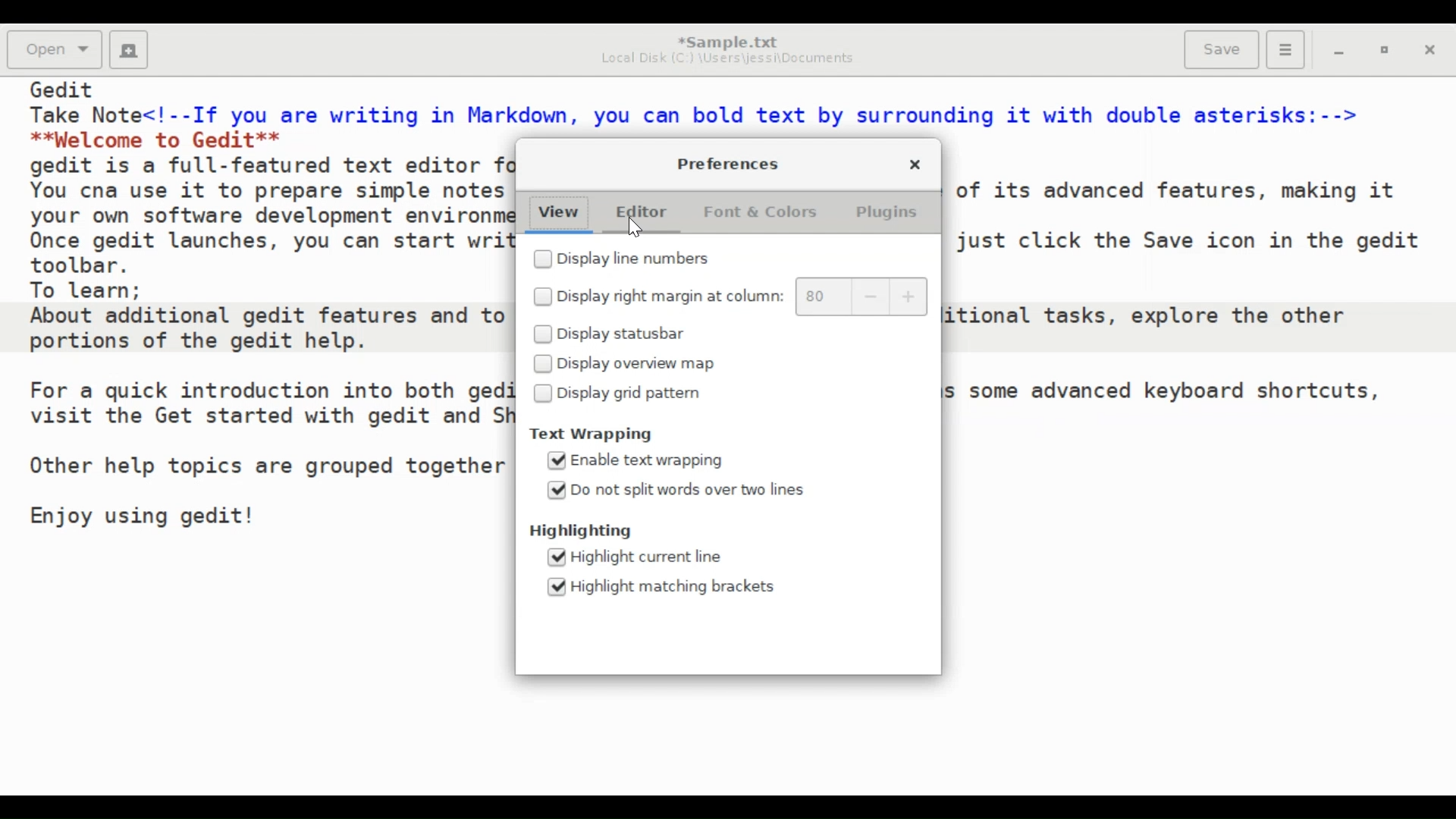  I want to click on Highlighting, so click(590, 532).